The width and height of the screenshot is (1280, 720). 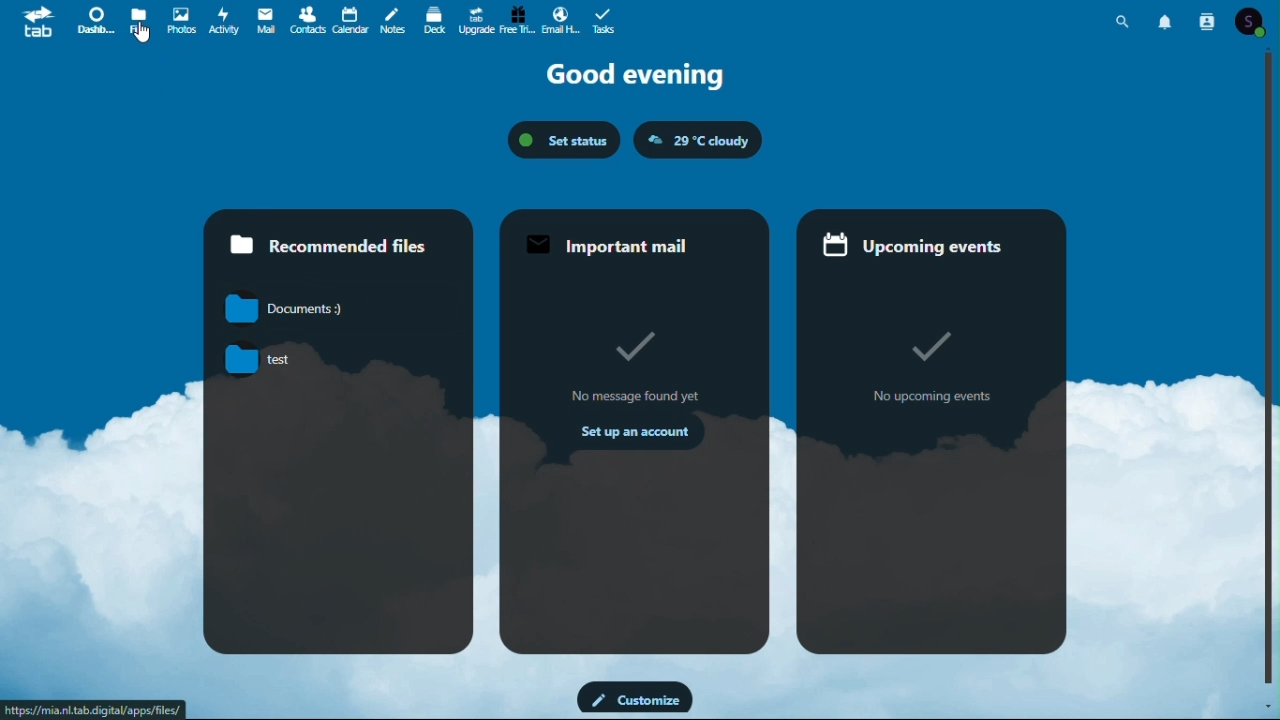 What do you see at coordinates (434, 20) in the screenshot?
I see `deck` at bounding box center [434, 20].